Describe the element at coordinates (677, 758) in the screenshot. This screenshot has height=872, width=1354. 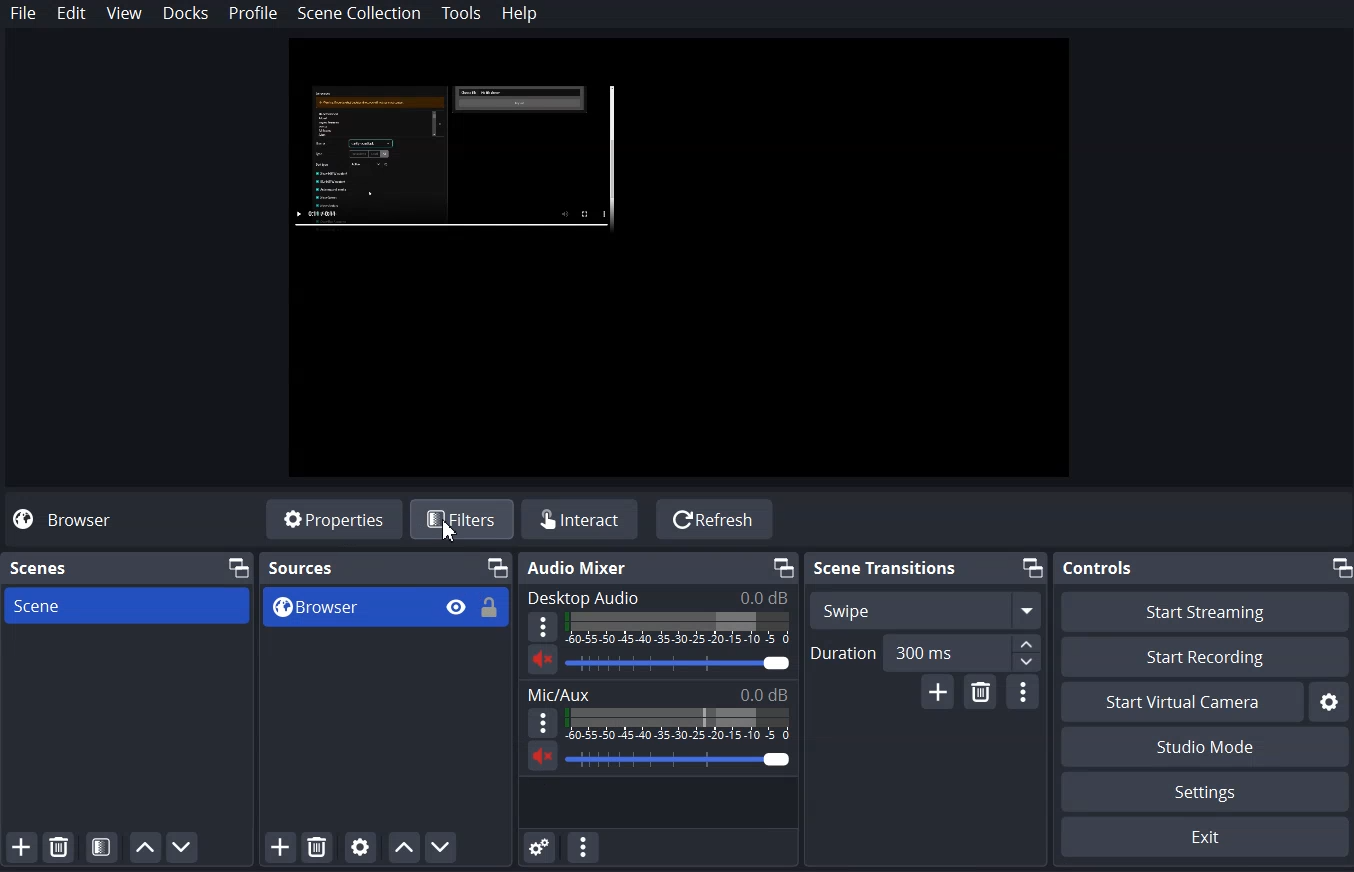
I see `Volume Adjuster` at that location.